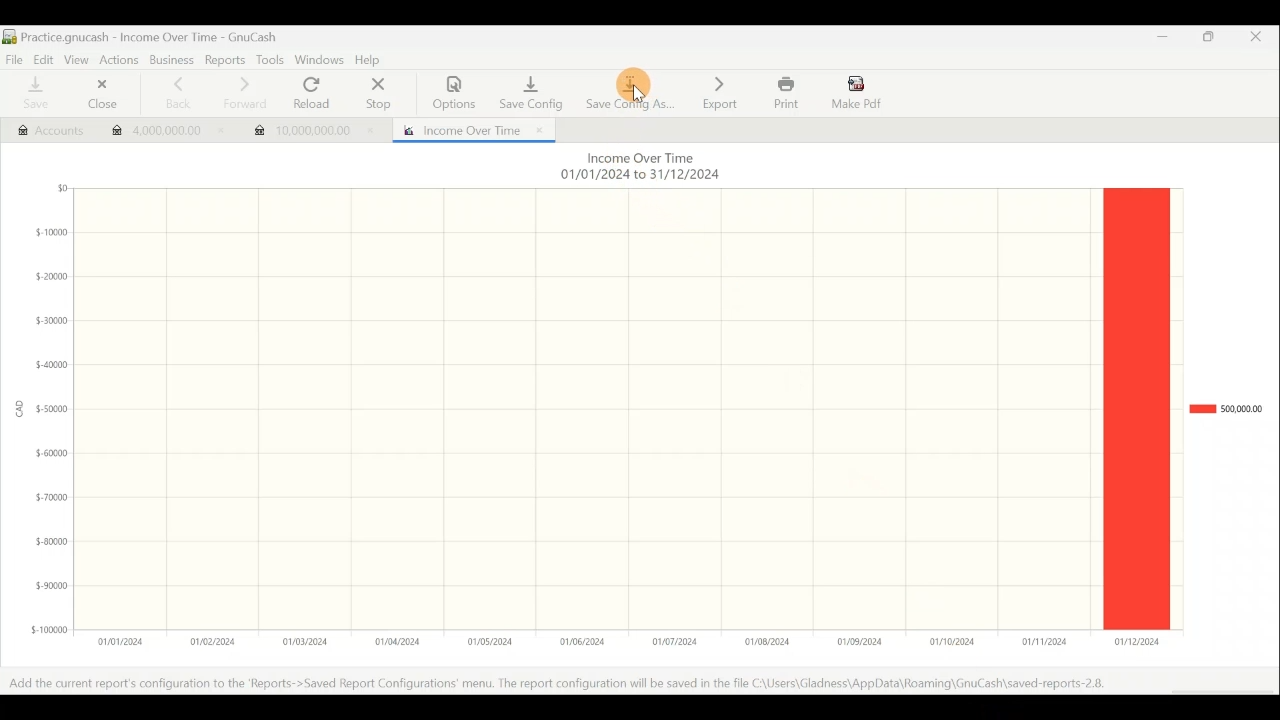 This screenshot has height=720, width=1280. I want to click on cursor, so click(638, 97).